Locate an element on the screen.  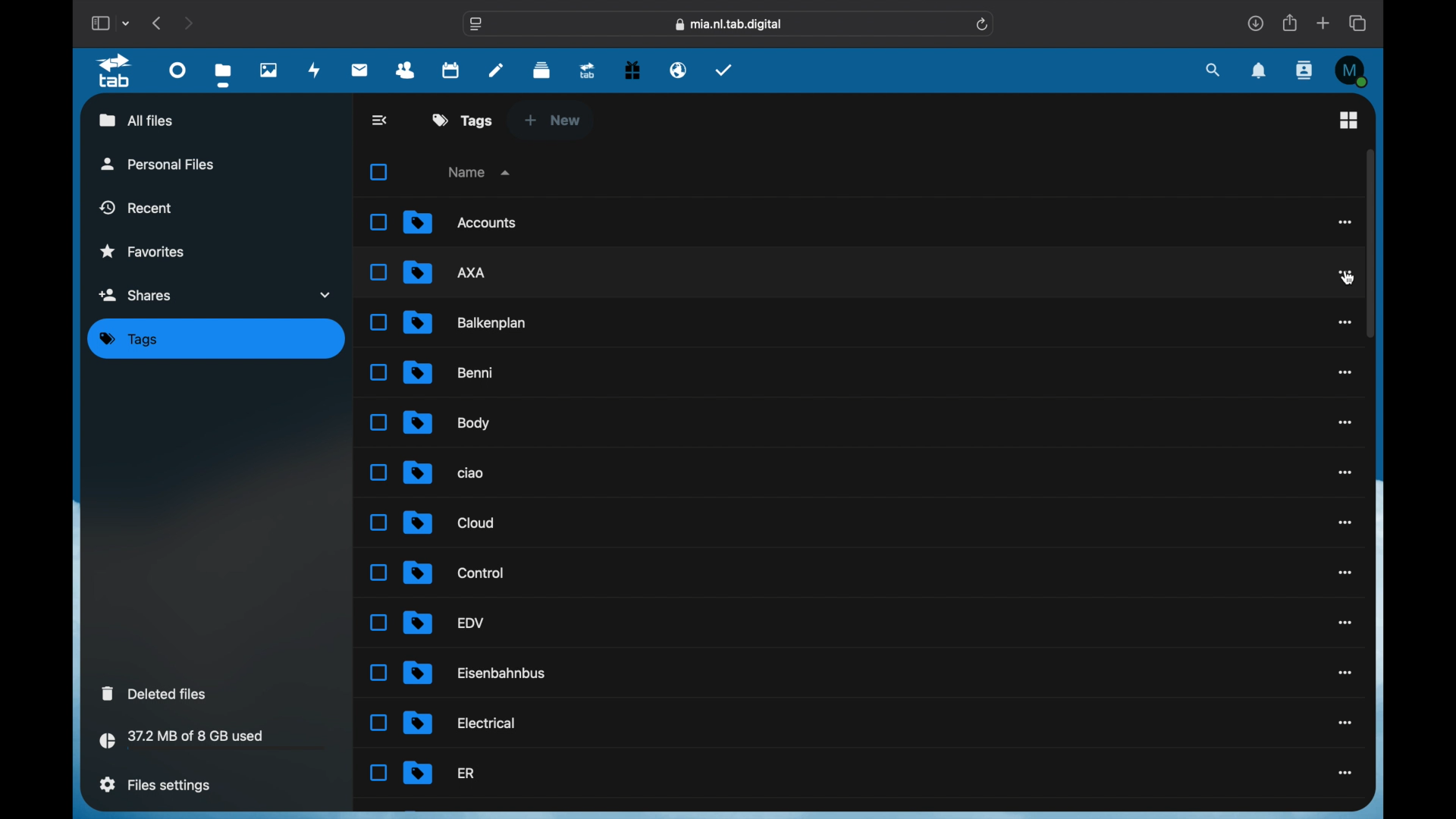
file is located at coordinates (450, 373).